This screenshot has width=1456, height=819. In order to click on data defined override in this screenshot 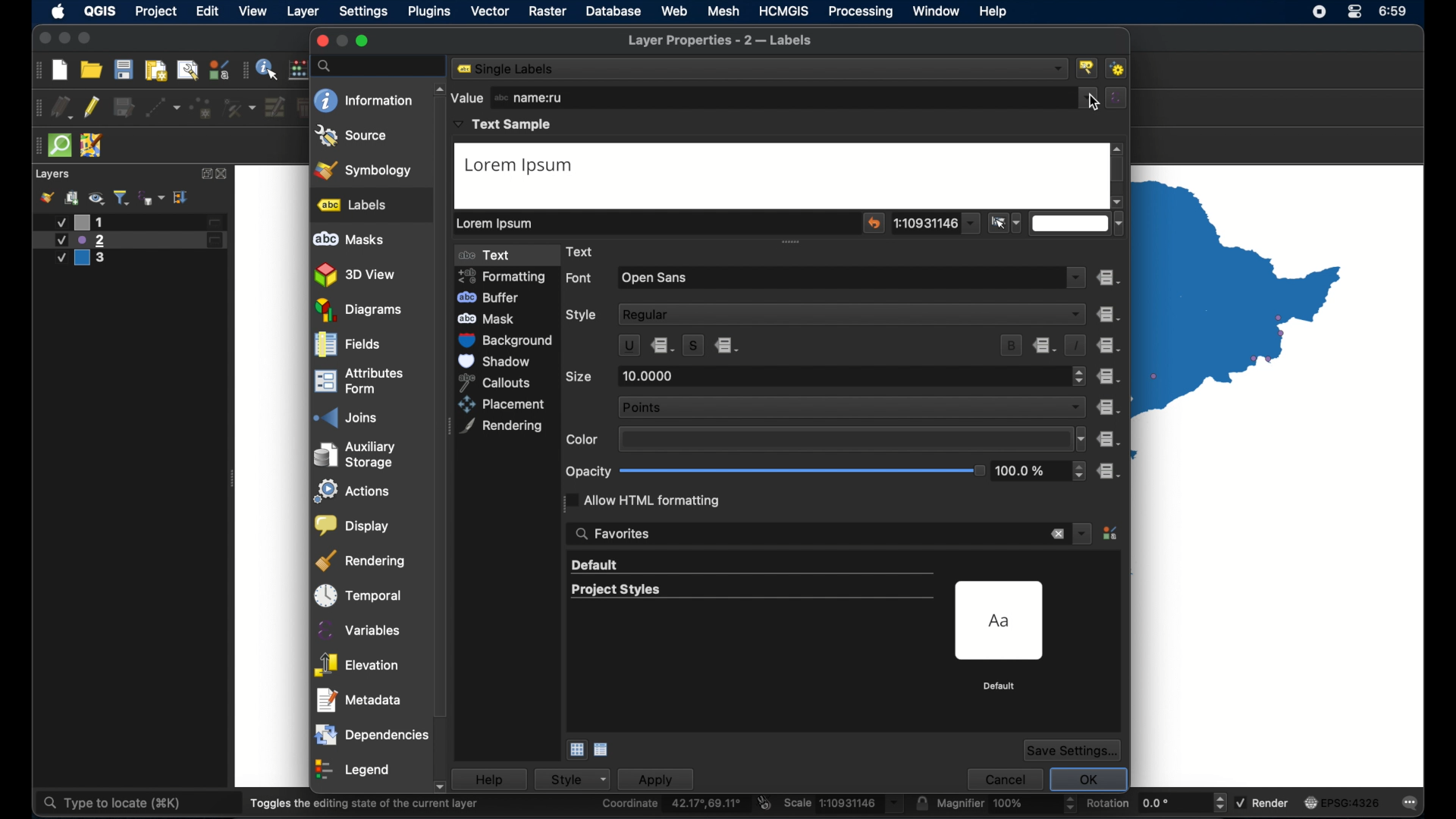, I will do `click(1109, 440)`.